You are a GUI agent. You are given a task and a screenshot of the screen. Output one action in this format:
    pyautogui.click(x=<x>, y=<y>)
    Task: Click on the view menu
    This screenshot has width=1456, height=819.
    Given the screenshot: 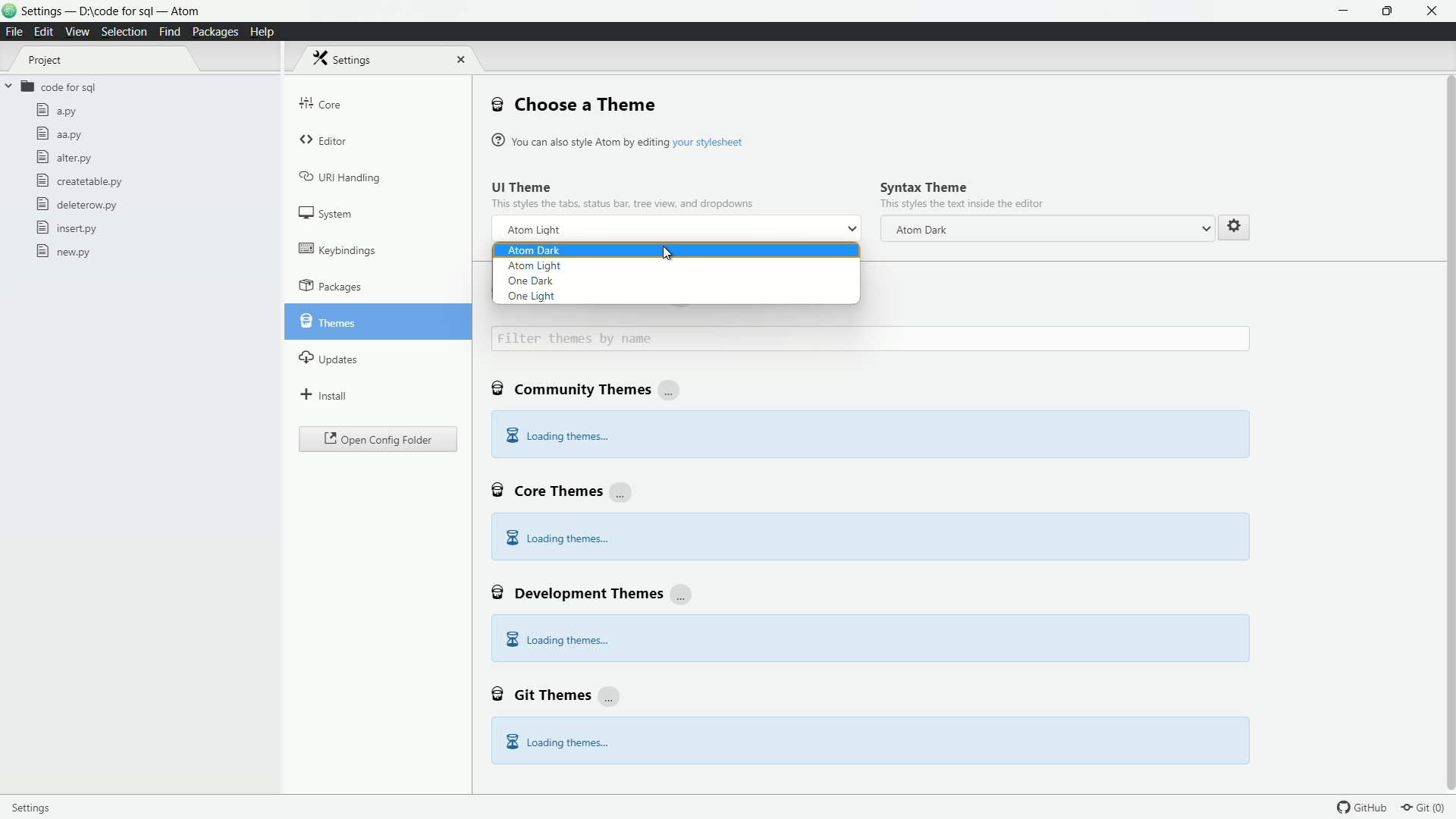 What is the action you would take?
    pyautogui.click(x=76, y=32)
    